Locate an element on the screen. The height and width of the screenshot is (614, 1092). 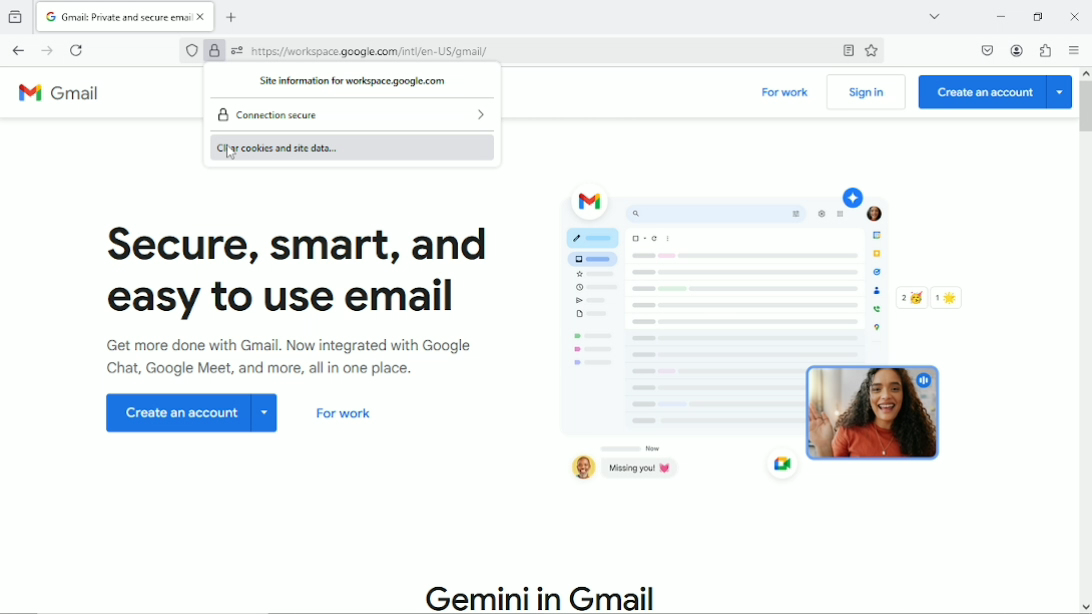
Current tab is located at coordinates (127, 17).